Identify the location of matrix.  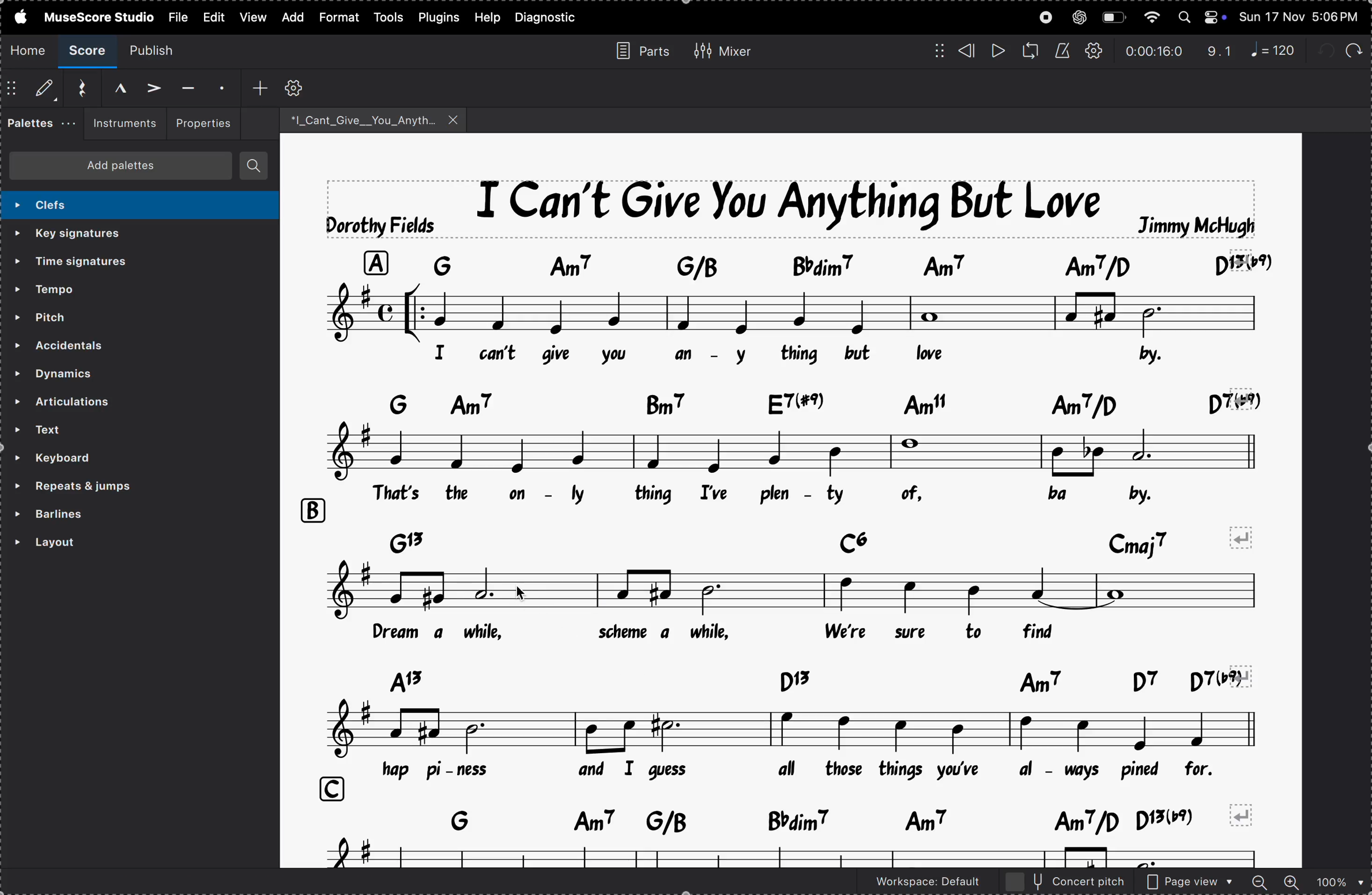
(934, 50).